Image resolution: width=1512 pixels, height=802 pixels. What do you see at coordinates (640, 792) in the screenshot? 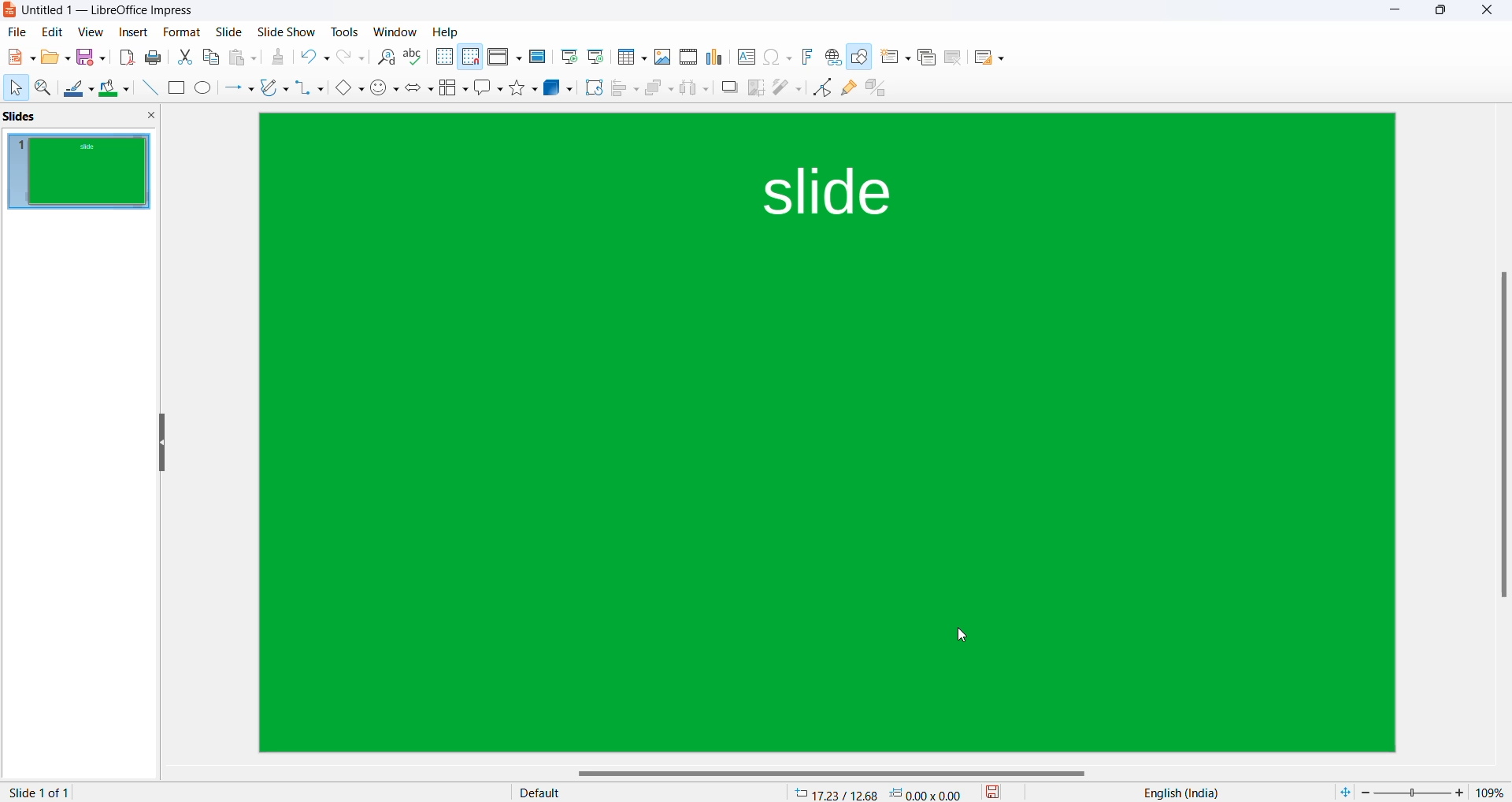
I see `page style` at bounding box center [640, 792].